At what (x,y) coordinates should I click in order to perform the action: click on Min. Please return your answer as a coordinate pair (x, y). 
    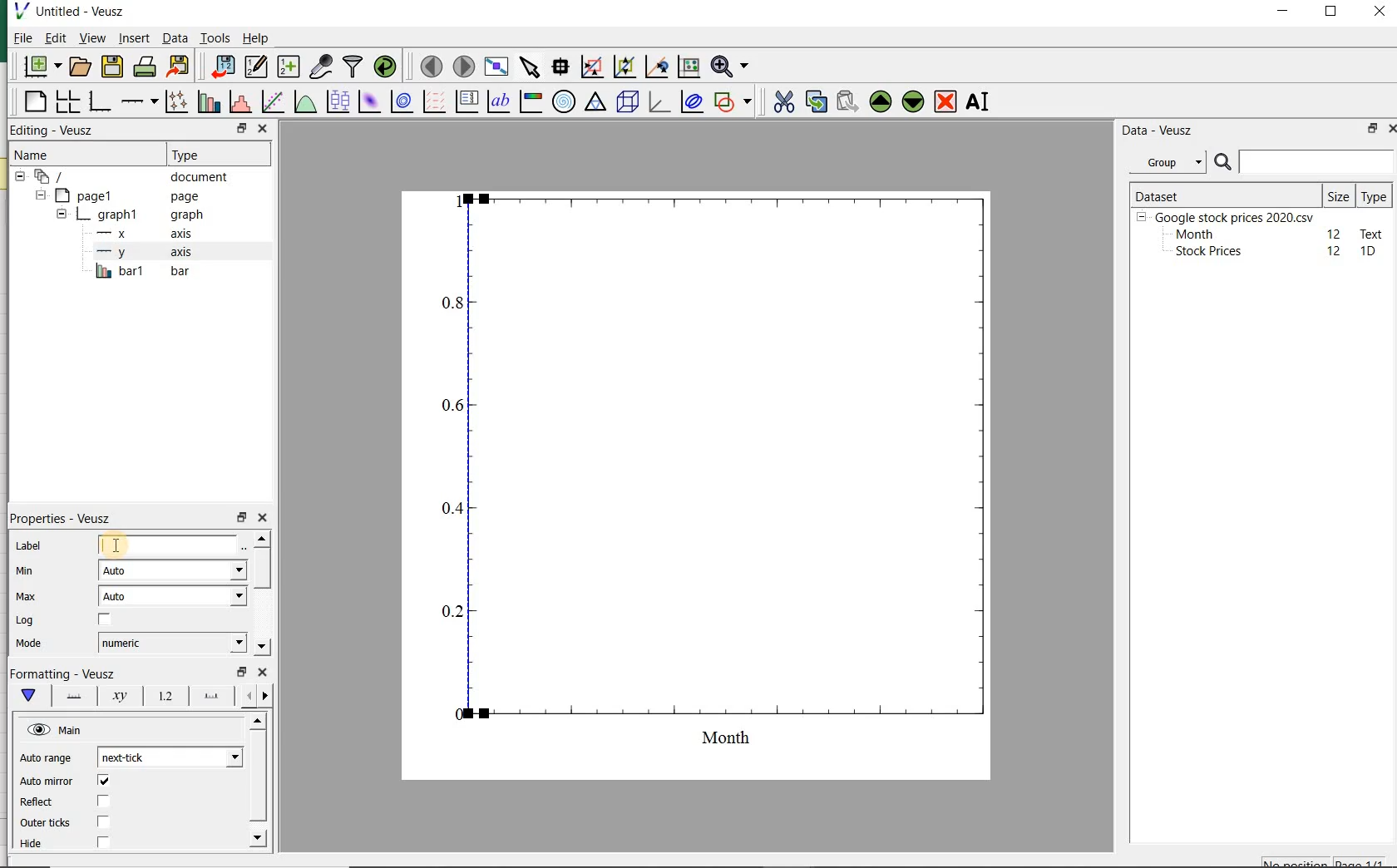
    Looking at the image, I should click on (27, 572).